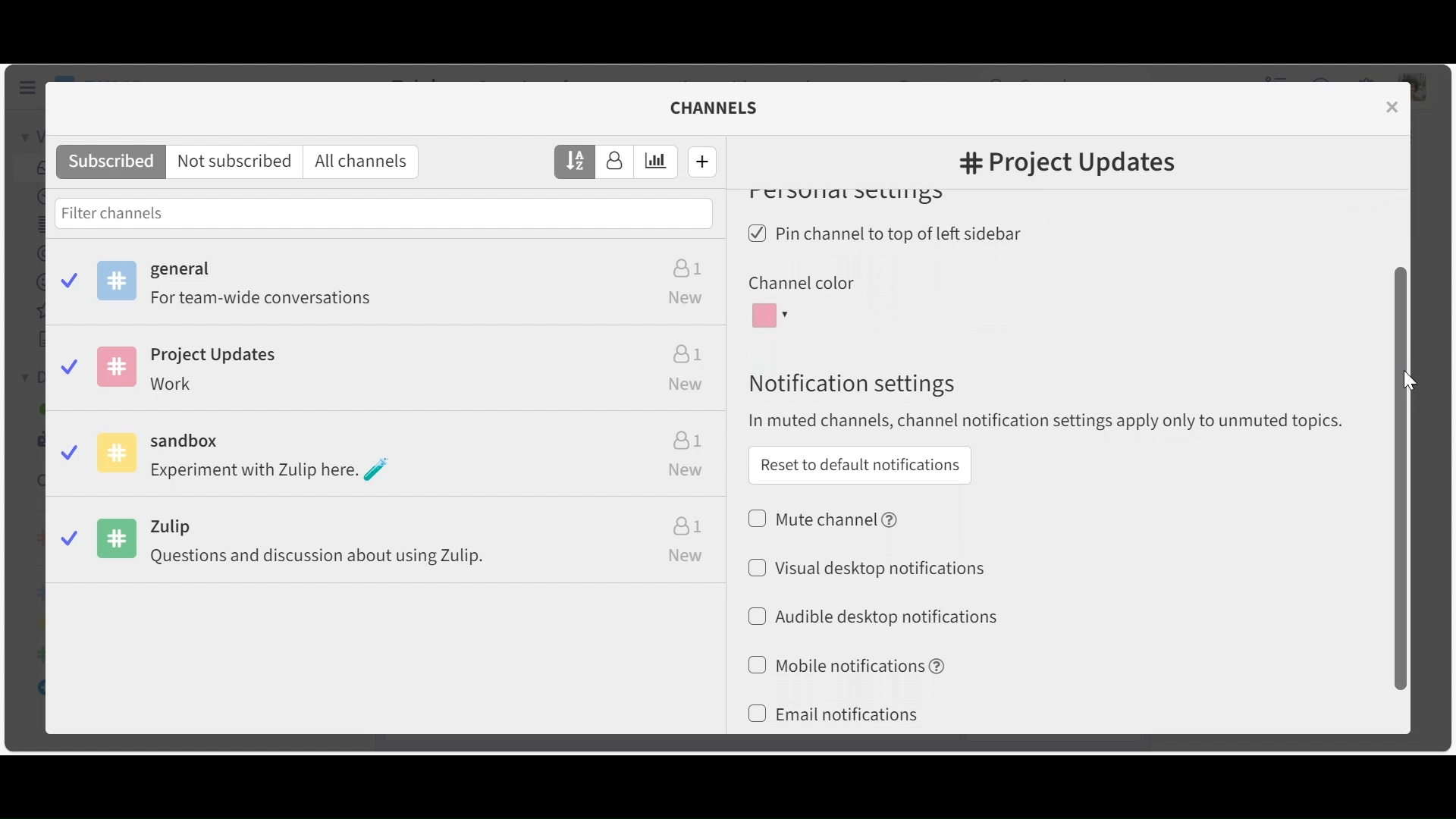 This screenshot has height=819, width=1456. What do you see at coordinates (386, 372) in the screenshot?
I see `Project Updates` at bounding box center [386, 372].